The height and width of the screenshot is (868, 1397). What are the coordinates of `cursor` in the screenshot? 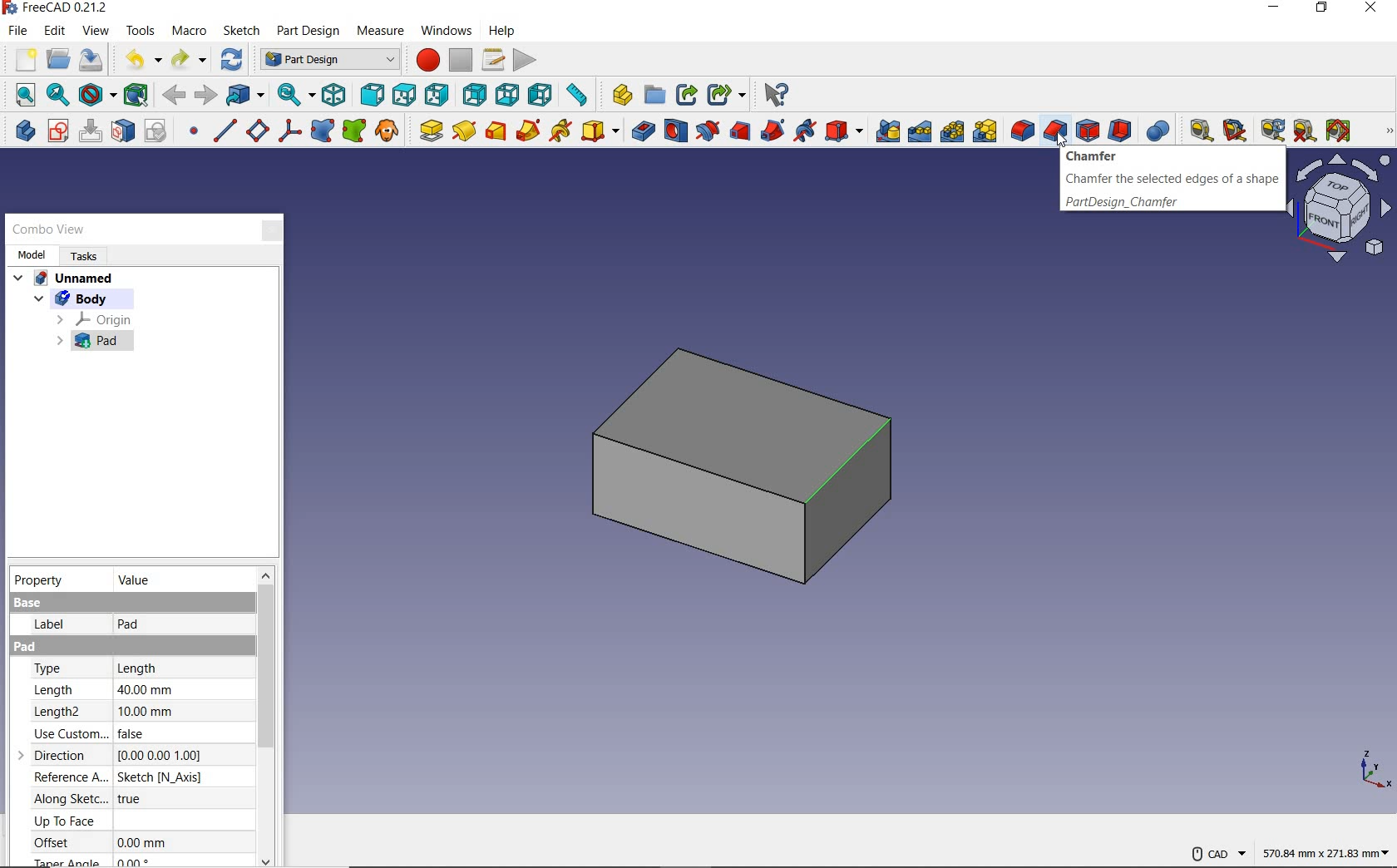 It's located at (1059, 141).